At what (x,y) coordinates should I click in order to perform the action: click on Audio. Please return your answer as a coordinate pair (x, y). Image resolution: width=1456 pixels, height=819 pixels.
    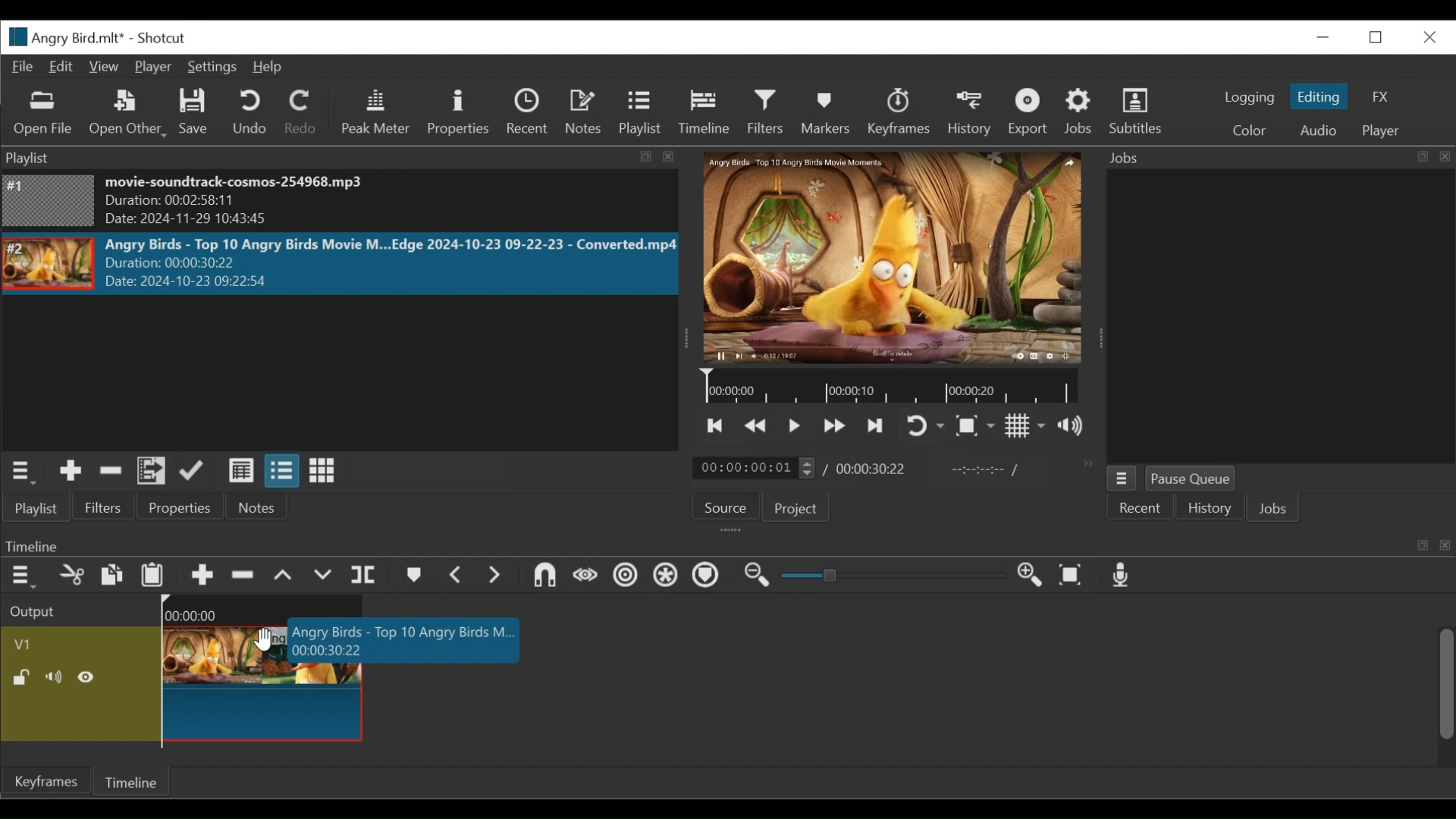
    Looking at the image, I should click on (1319, 130).